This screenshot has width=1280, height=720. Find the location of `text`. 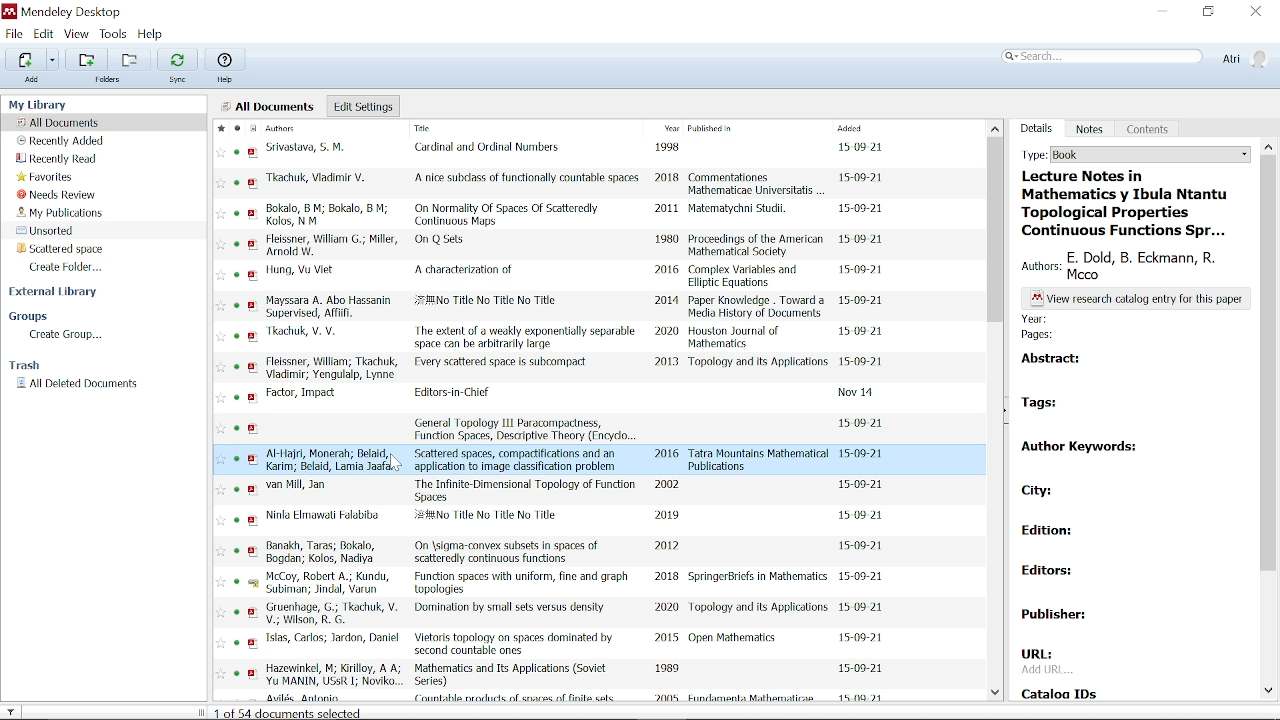

text is located at coordinates (1141, 299).